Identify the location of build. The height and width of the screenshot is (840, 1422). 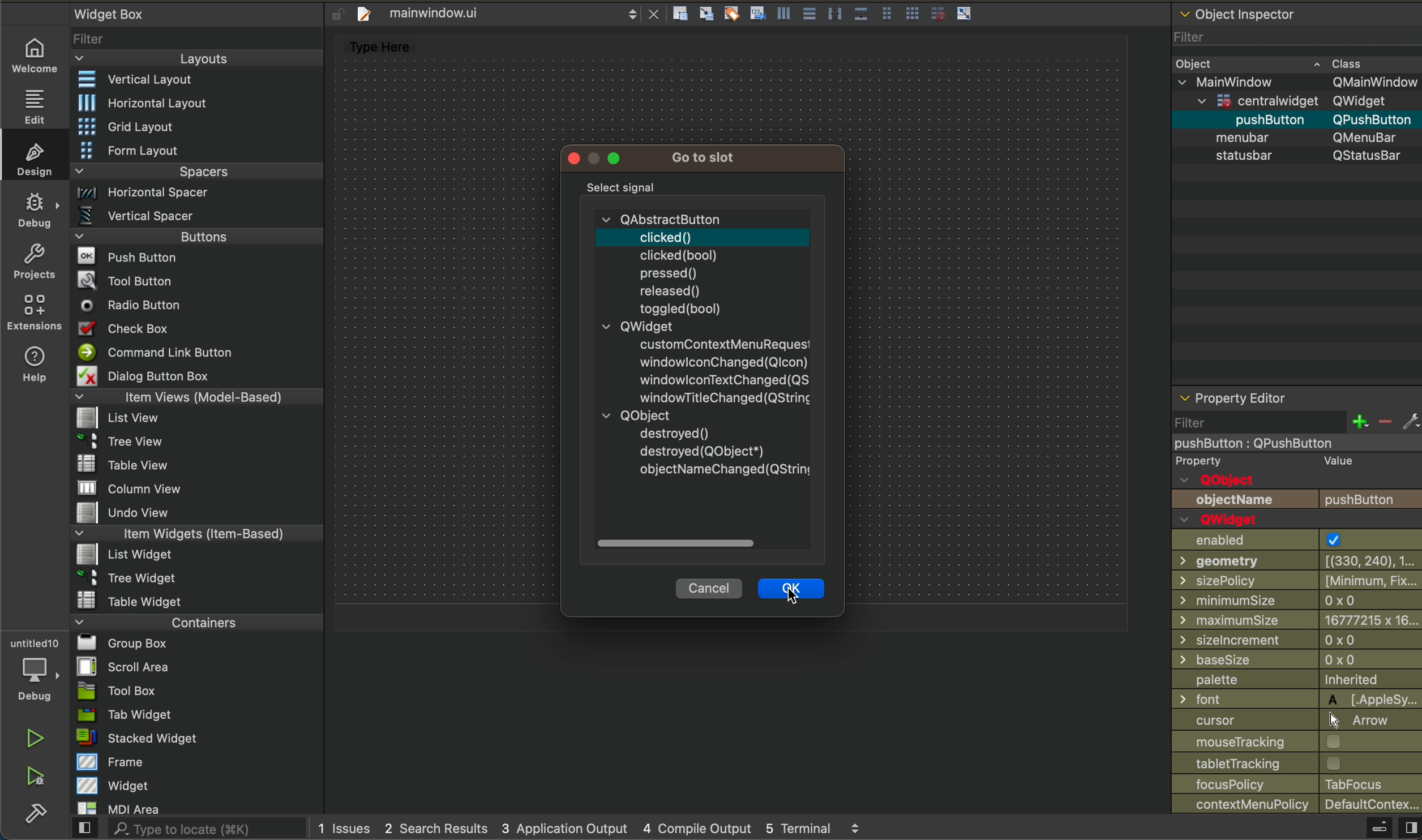
(31, 819).